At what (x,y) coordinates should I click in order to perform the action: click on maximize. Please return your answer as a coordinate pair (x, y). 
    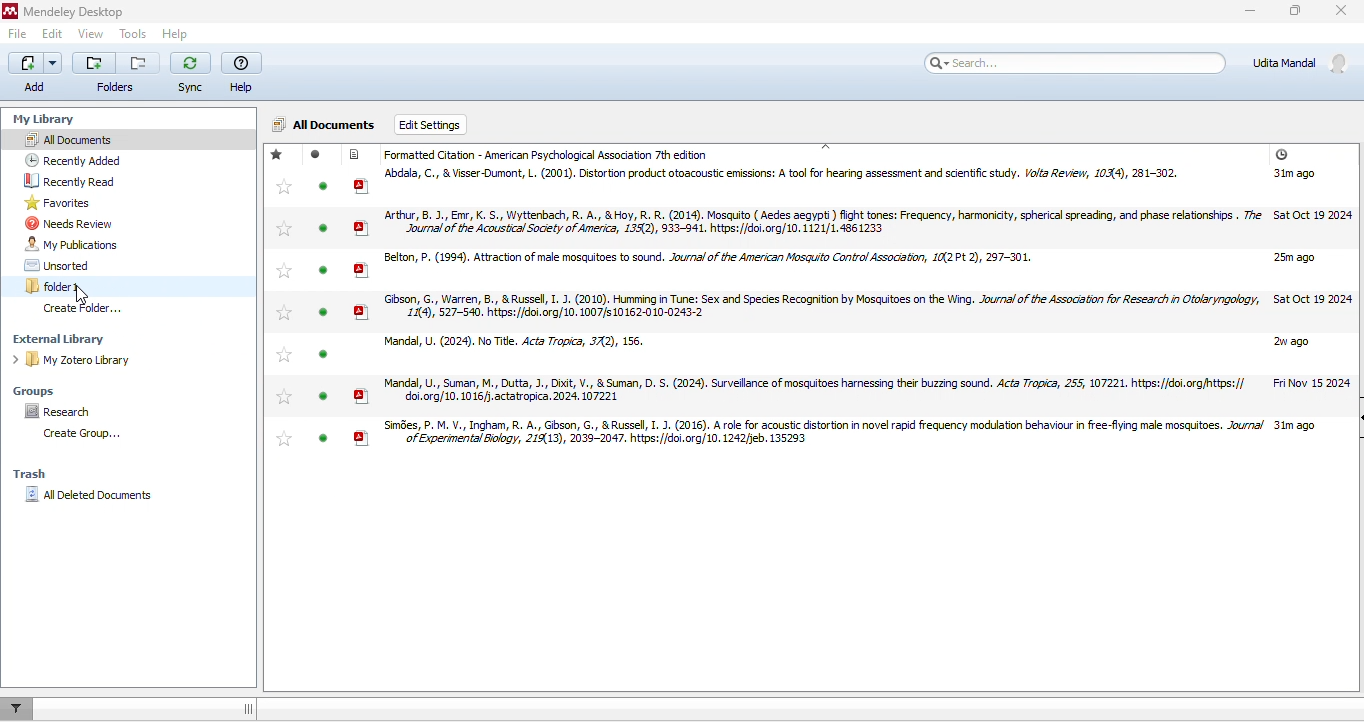
    Looking at the image, I should click on (1295, 15).